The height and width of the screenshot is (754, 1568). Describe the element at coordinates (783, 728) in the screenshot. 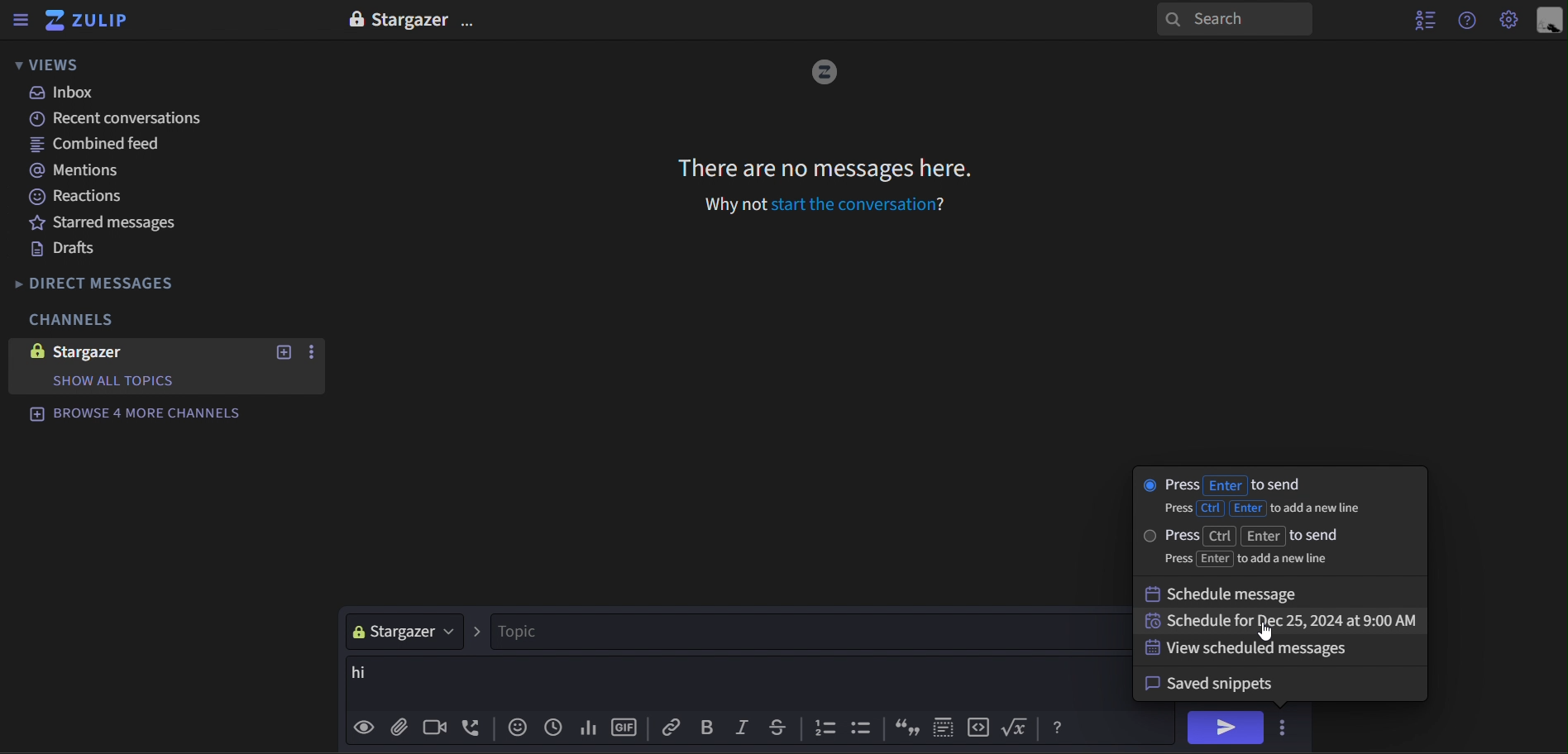

I see `strike through` at that location.